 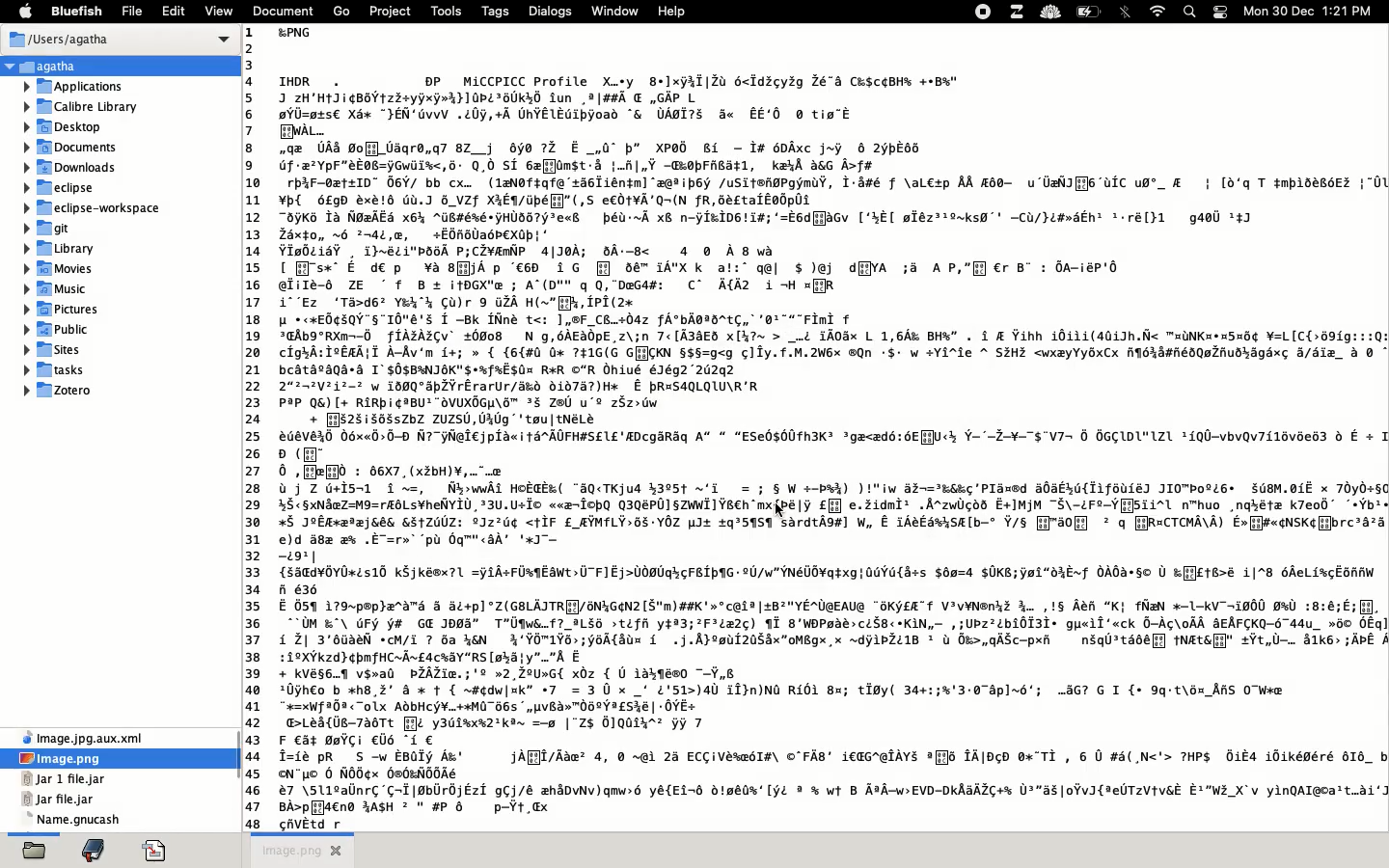 What do you see at coordinates (60, 392) in the screenshot?
I see `Zotero` at bounding box center [60, 392].